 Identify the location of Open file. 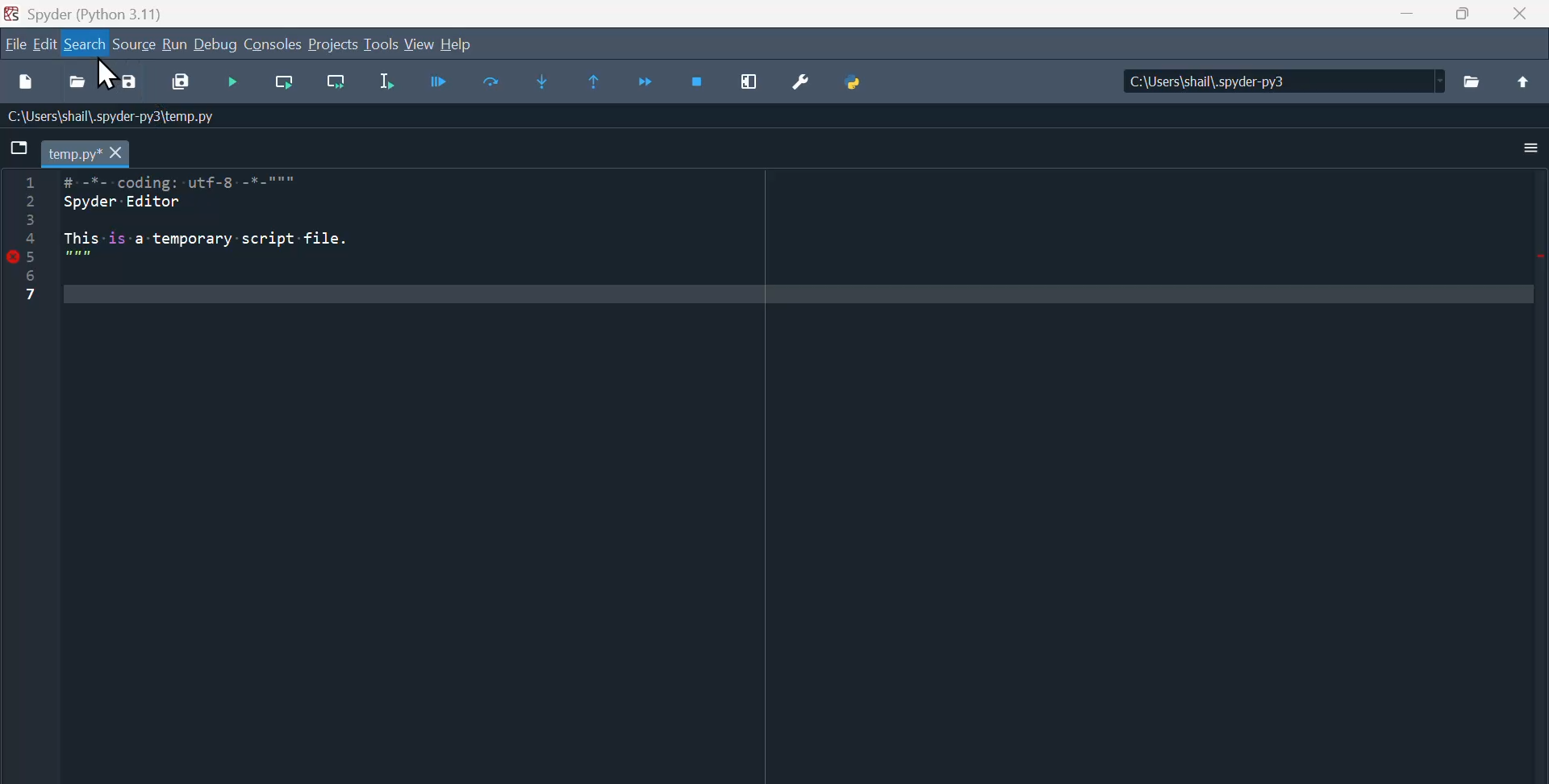
(83, 82).